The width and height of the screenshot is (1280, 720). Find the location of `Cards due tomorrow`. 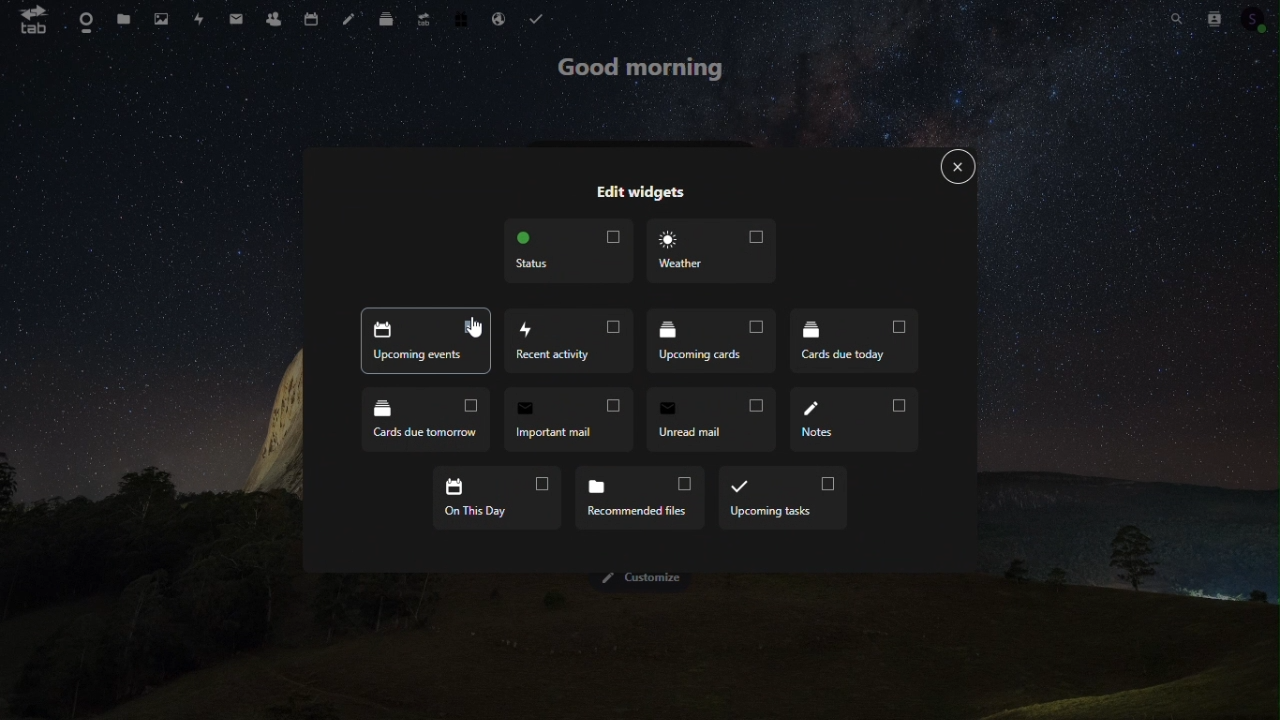

Cards due tomorrow is located at coordinates (426, 422).